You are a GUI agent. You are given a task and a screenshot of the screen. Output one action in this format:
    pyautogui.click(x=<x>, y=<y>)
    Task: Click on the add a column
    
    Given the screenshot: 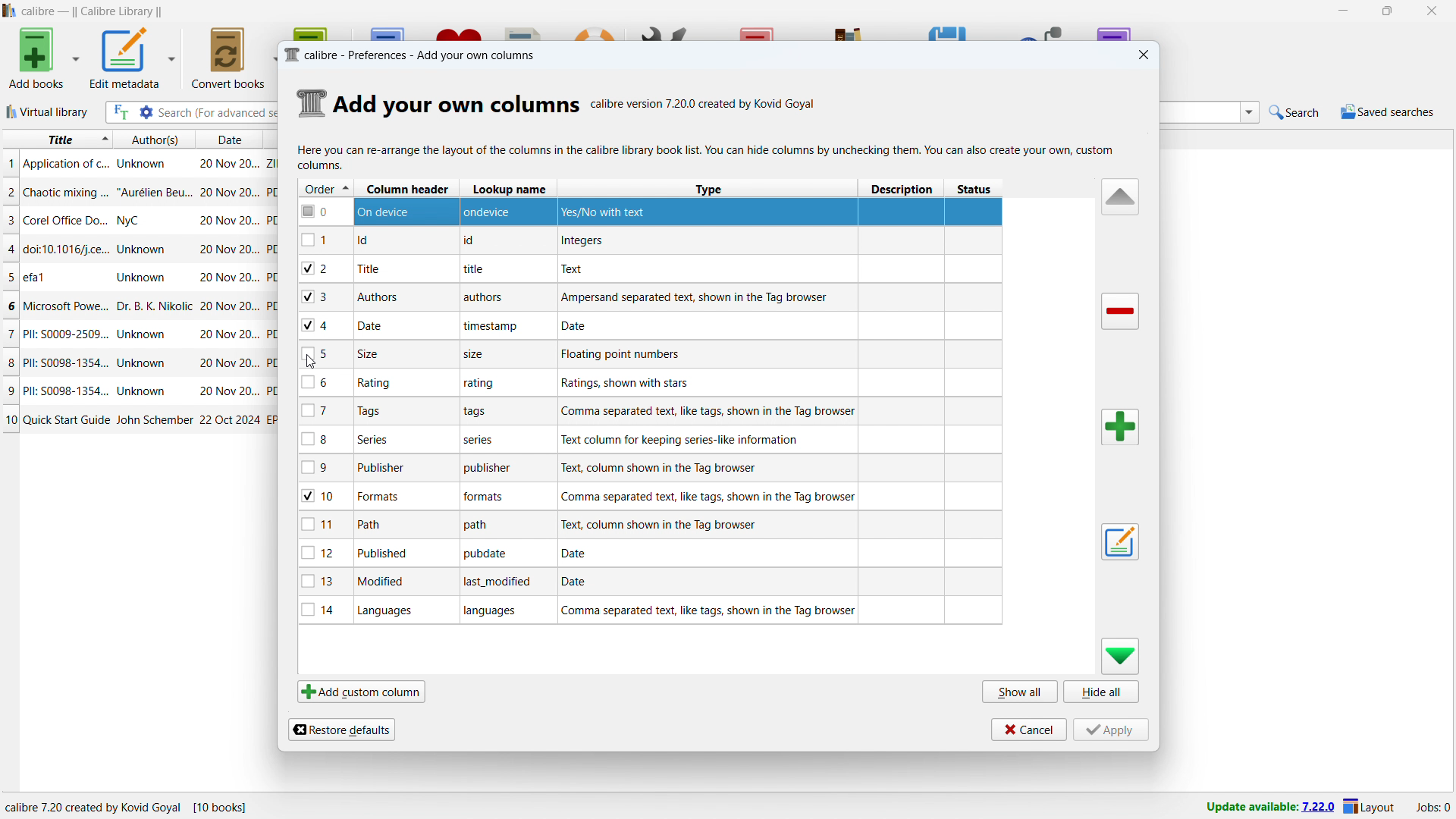 What is the action you would take?
    pyautogui.click(x=1119, y=427)
    